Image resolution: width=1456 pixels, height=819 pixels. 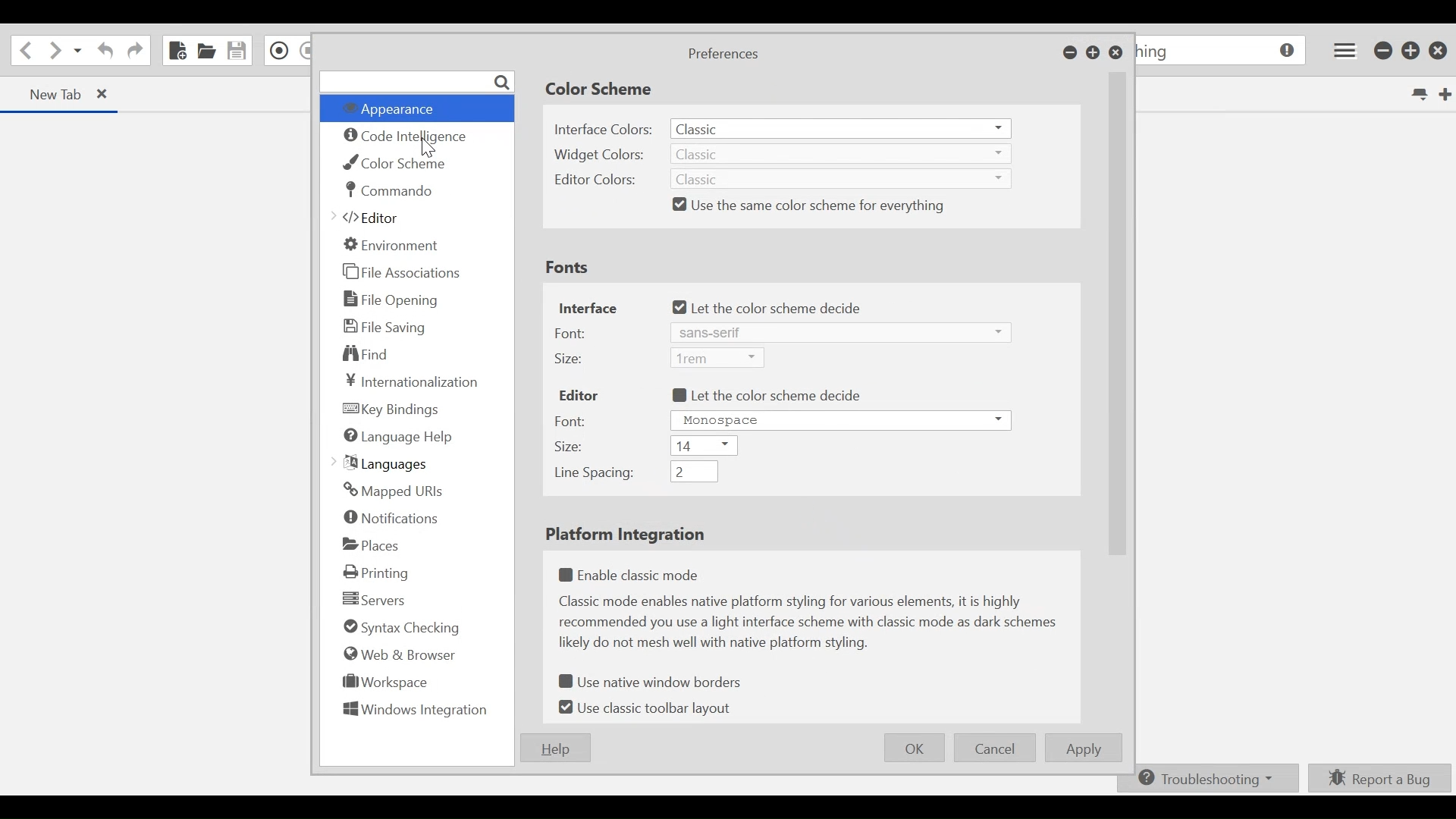 I want to click on Size:, so click(x=571, y=358).